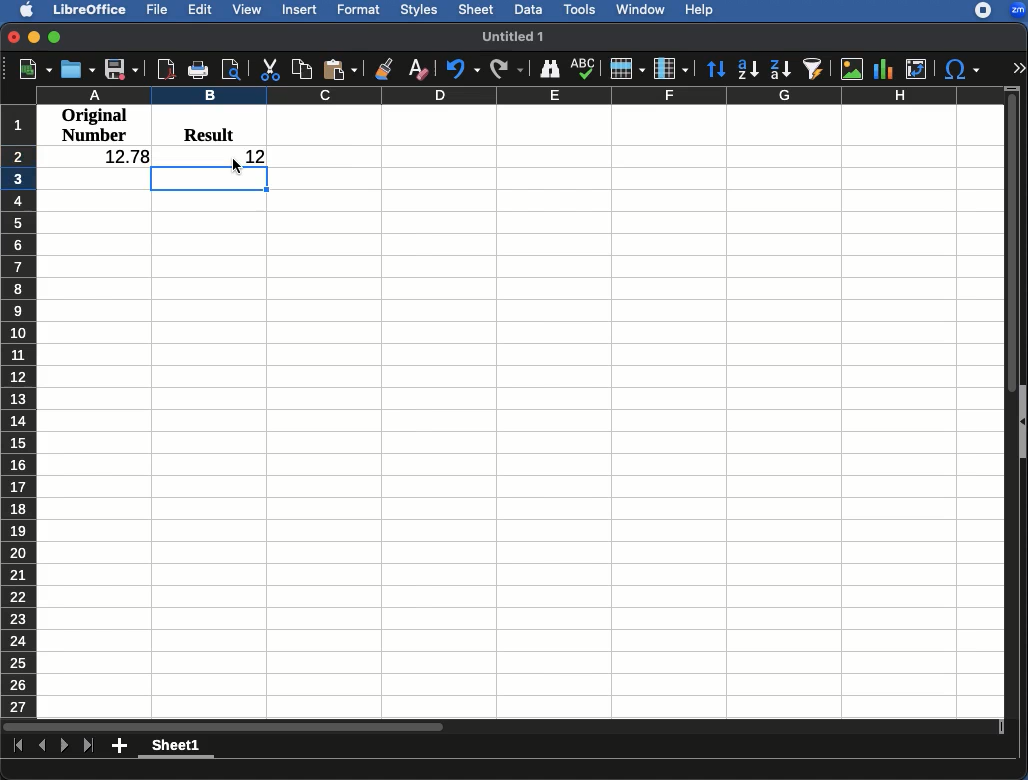 The height and width of the screenshot is (780, 1028). I want to click on New, so click(27, 69).